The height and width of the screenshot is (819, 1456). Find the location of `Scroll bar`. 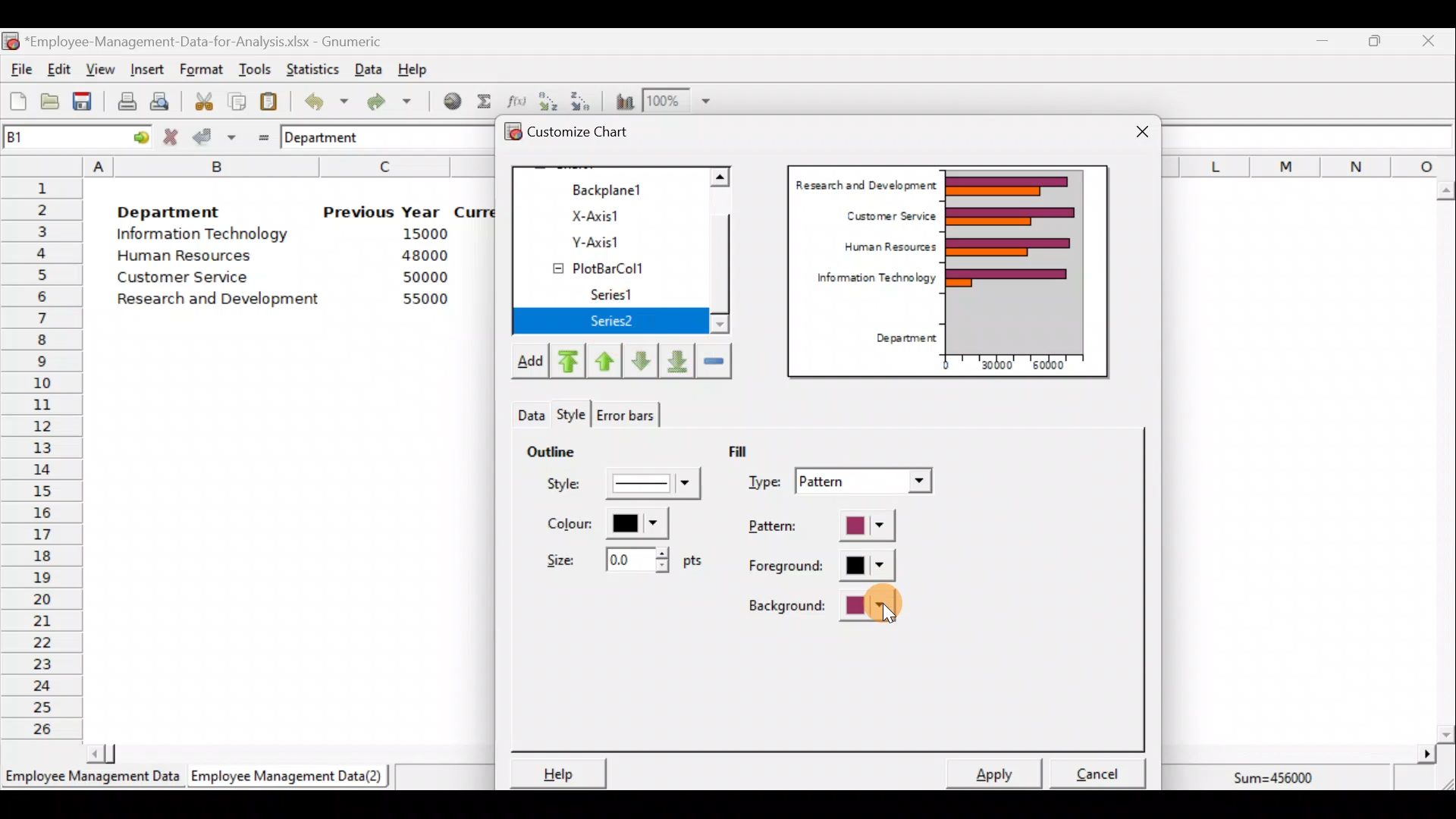

Scroll bar is located at coordinates (1445, 462).